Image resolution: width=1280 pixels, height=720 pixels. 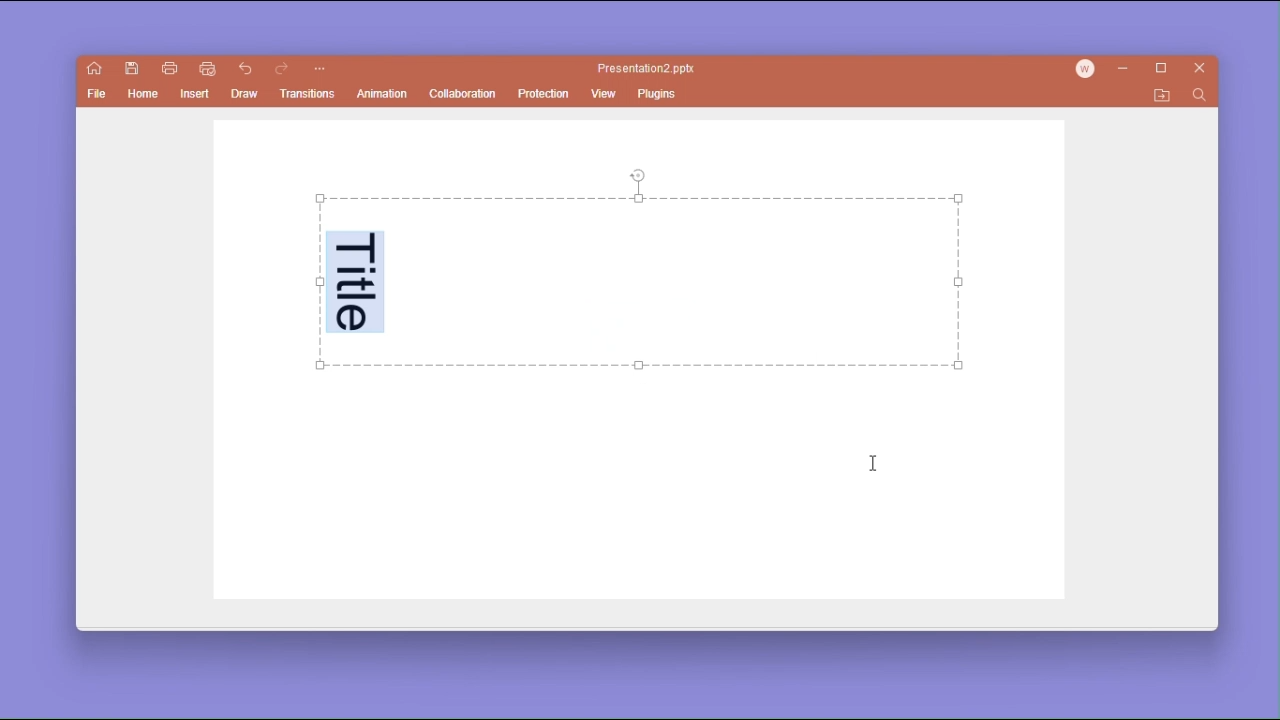 I want to click on show main window, so click(x=95, y=69).